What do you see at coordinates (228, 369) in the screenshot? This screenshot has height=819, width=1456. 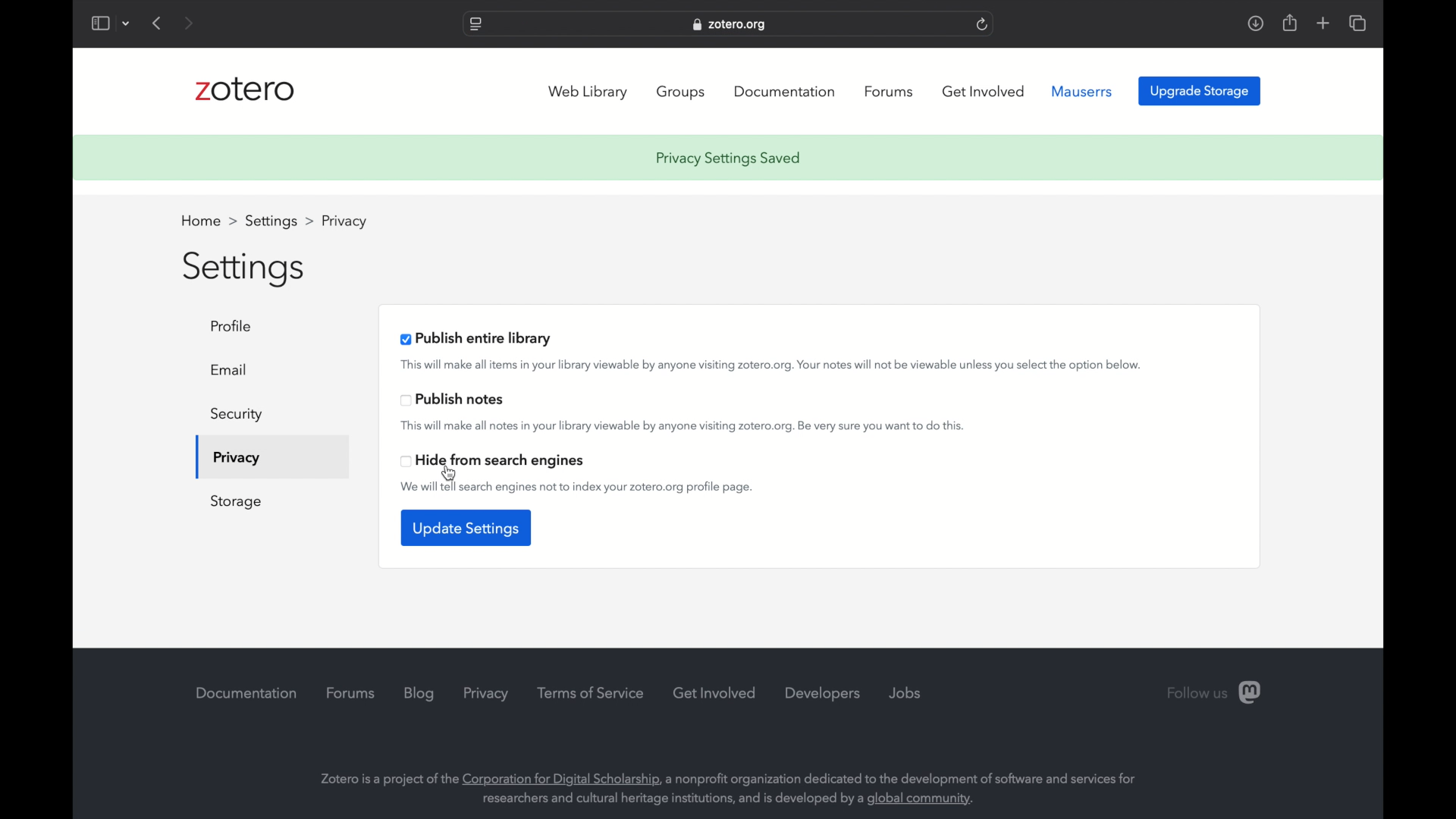 I see `email` at bounding box center [228, 369].